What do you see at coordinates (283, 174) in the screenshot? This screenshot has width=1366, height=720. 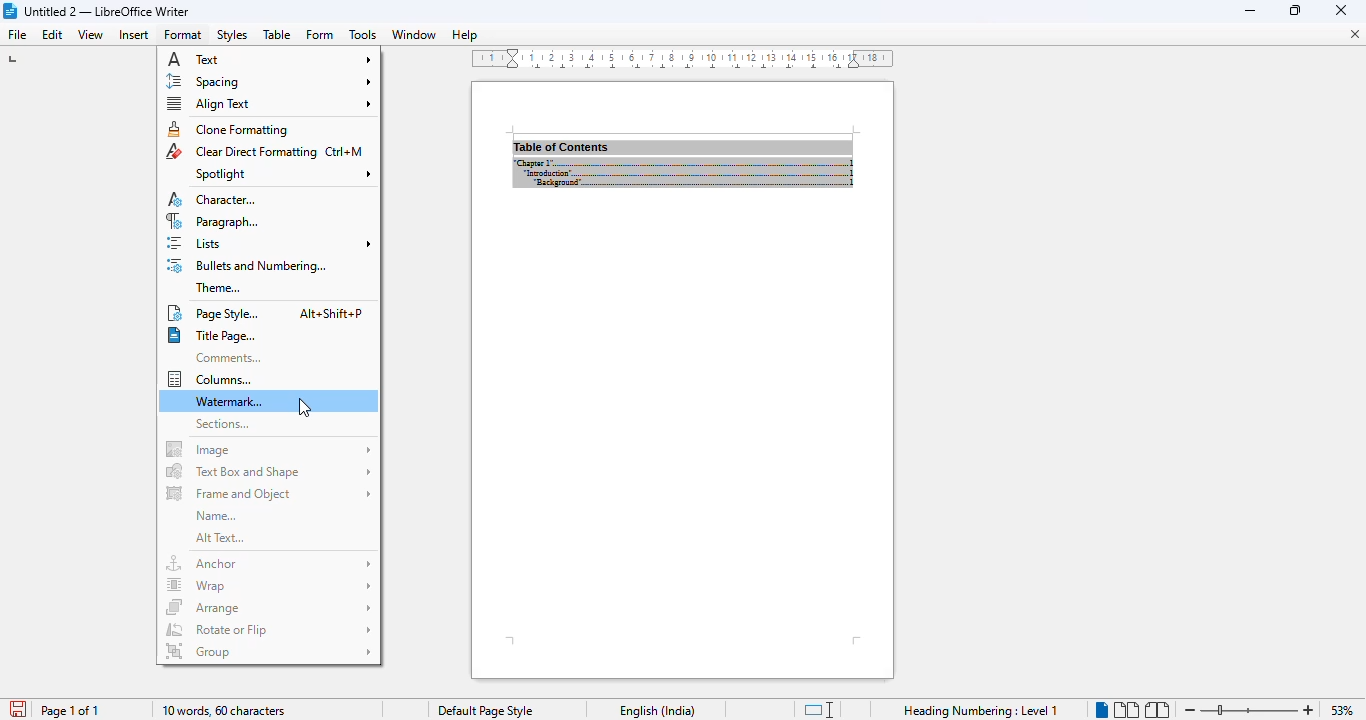 I see `spotlight` at bounding box center [283, 174].